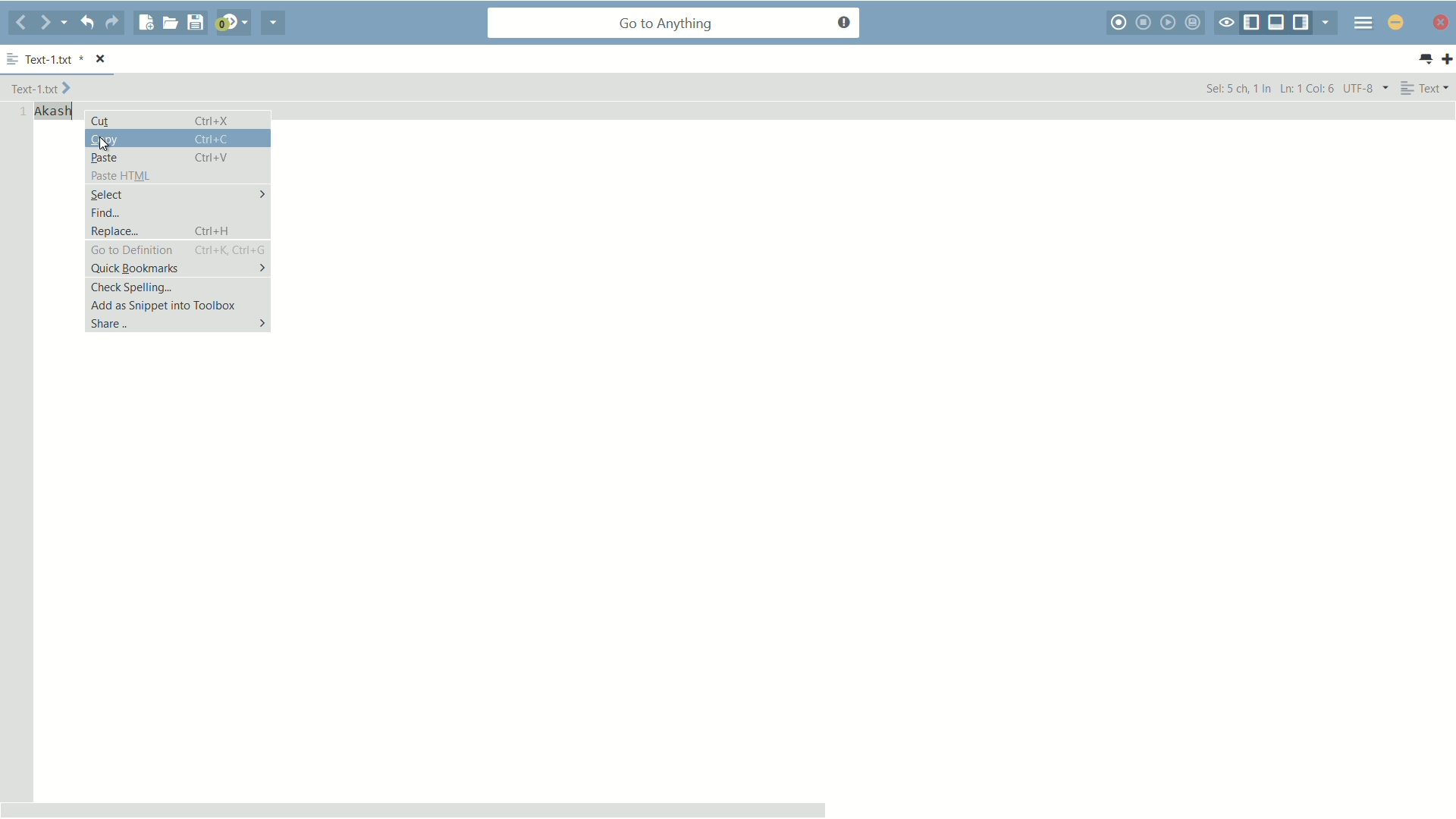  Describe the element at coordinates (176, 194) in the screenshot. I see `select` at that location.